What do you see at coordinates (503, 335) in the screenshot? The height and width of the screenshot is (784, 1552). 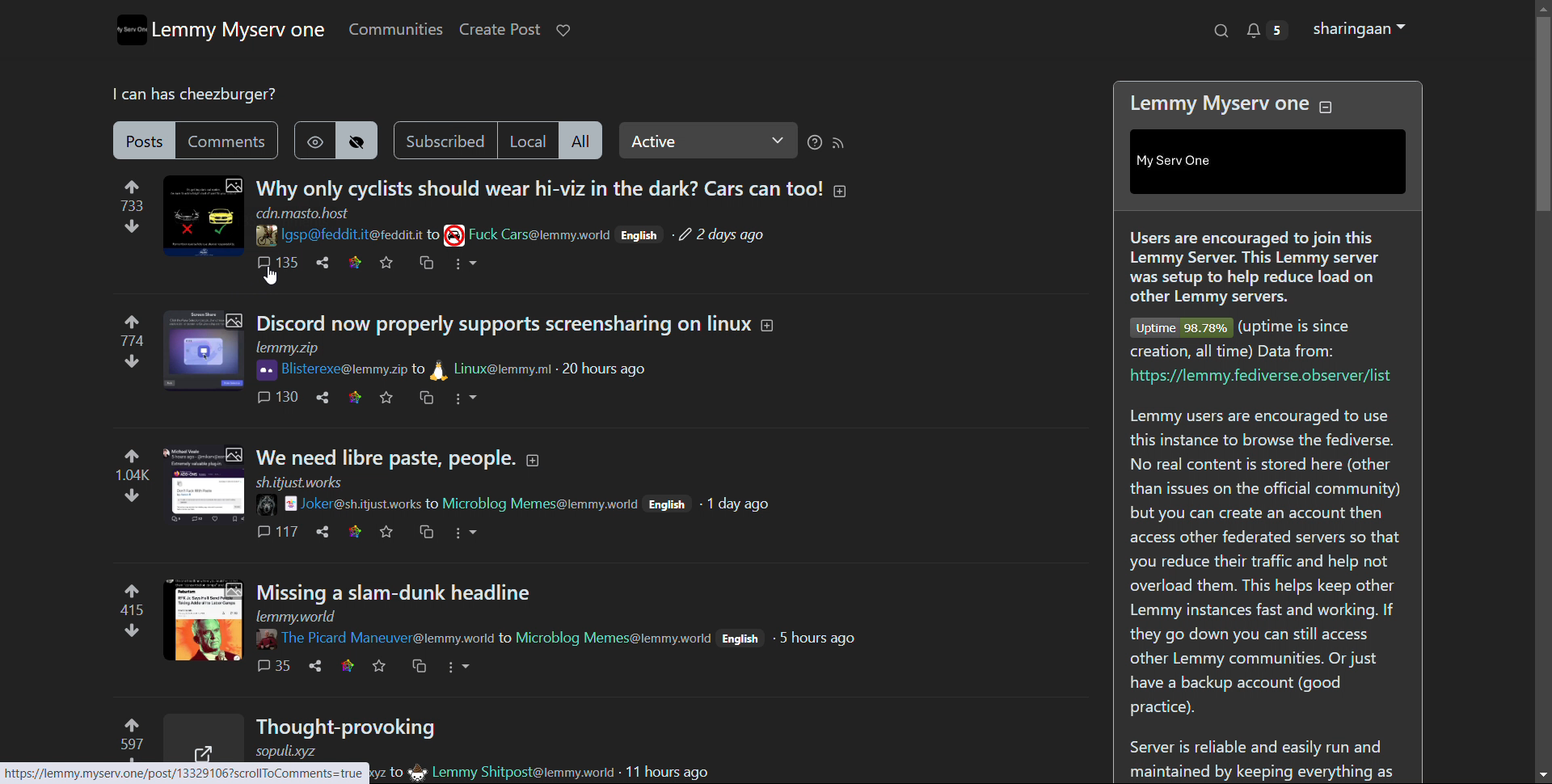 I see `Discord now properly supports screensharing on linux
lemmy.zip` at bounding box center [503, 335].